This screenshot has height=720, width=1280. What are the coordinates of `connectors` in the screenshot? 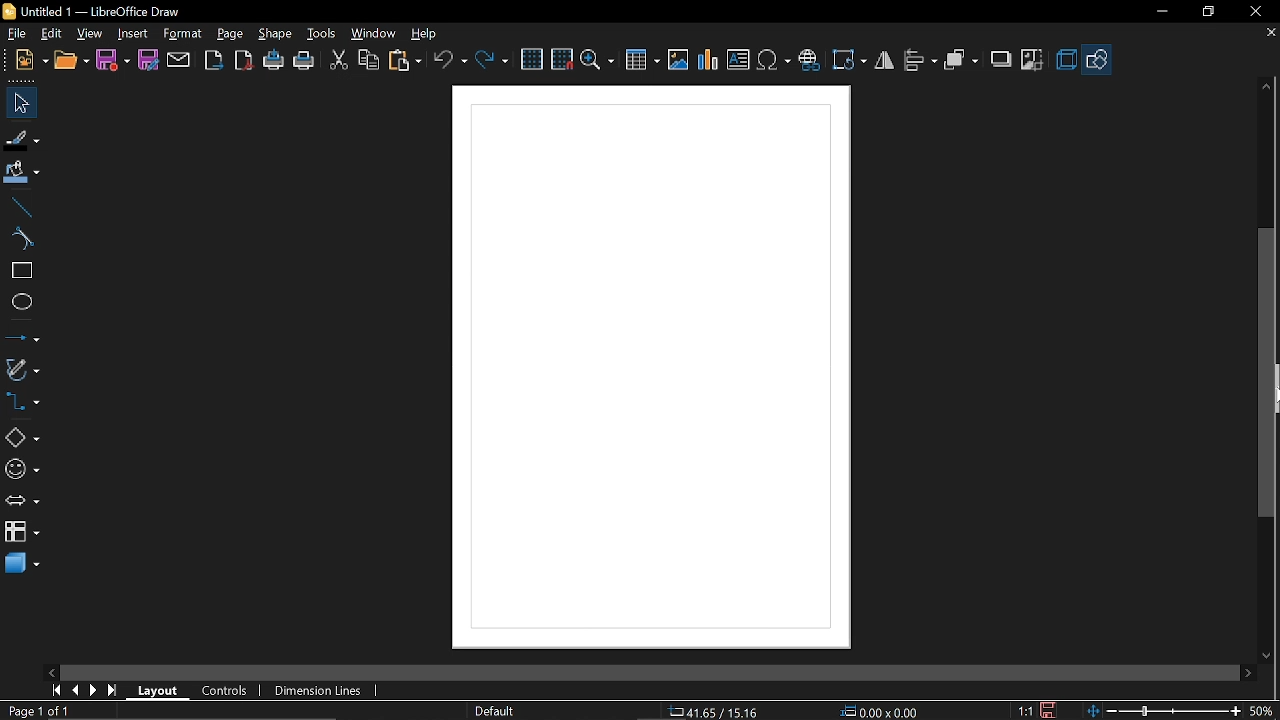 It's located at (21, 405).